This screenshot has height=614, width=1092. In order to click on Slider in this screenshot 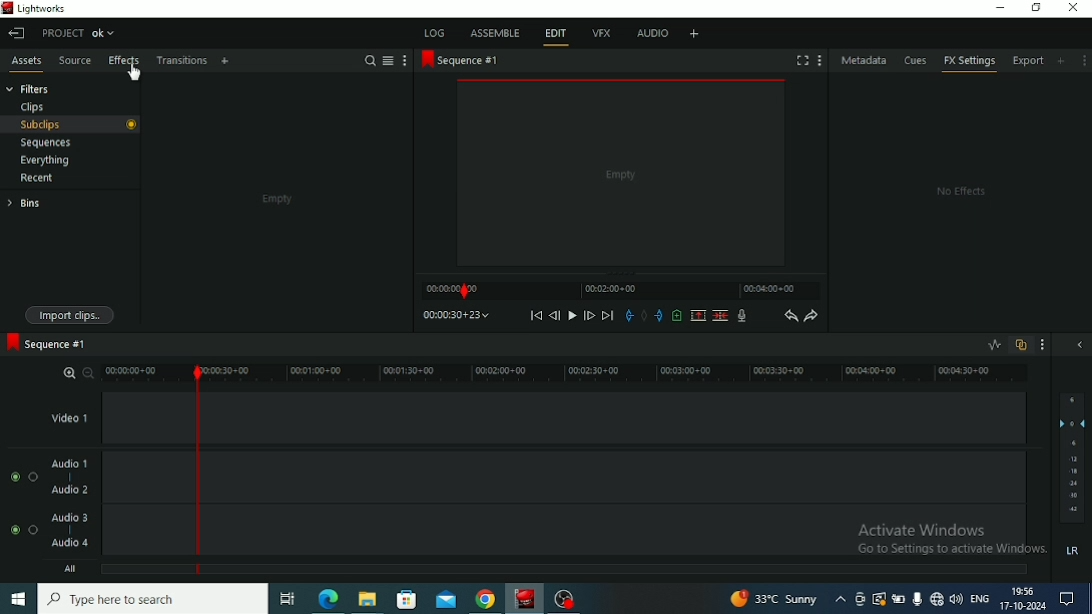, I will do `click(141, 373)`.